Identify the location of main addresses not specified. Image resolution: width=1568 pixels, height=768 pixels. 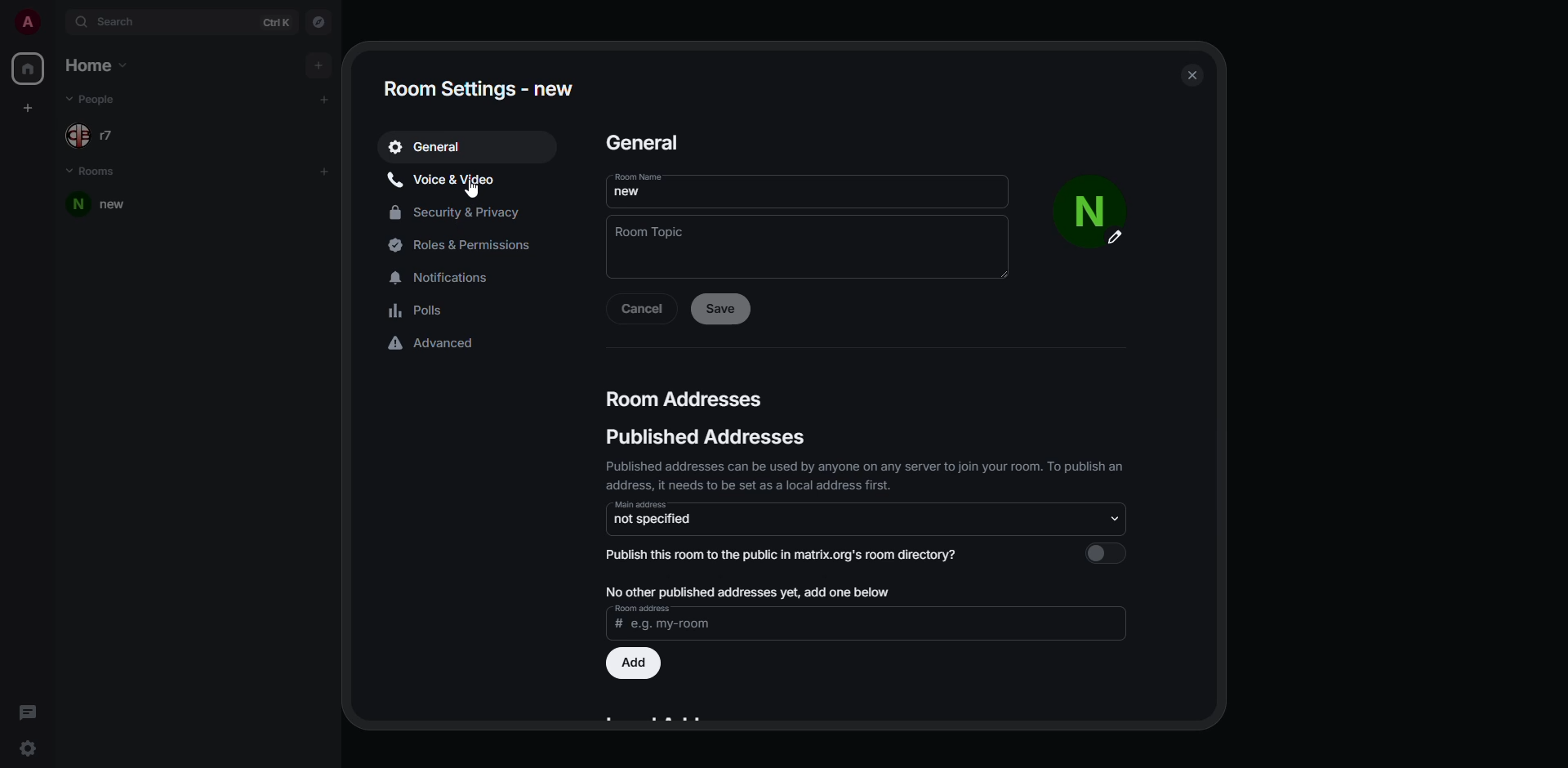
(654, 514).